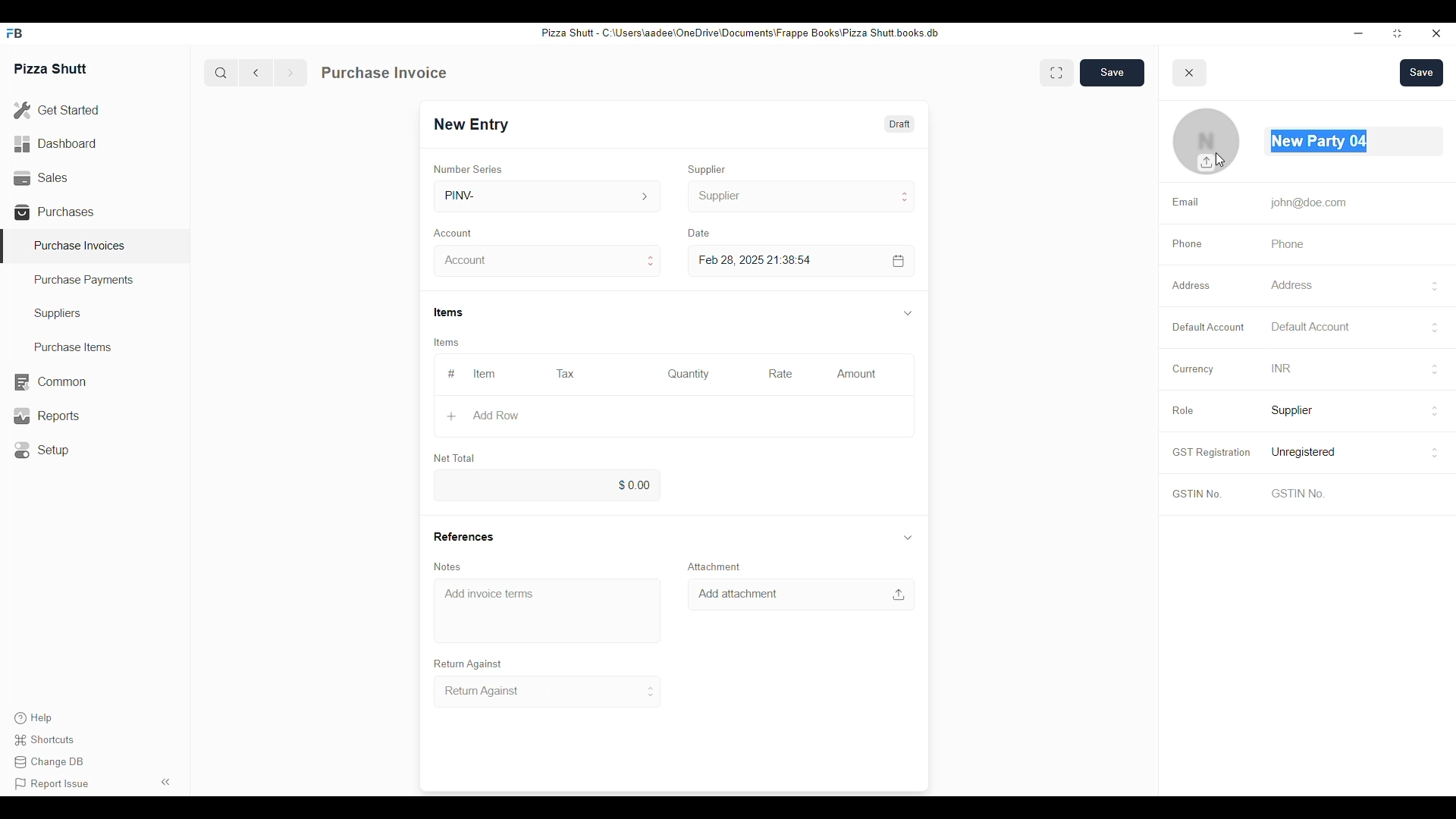  Describe the element at coordinates (546, 261) in the screenshot. I see `Account` at that location.